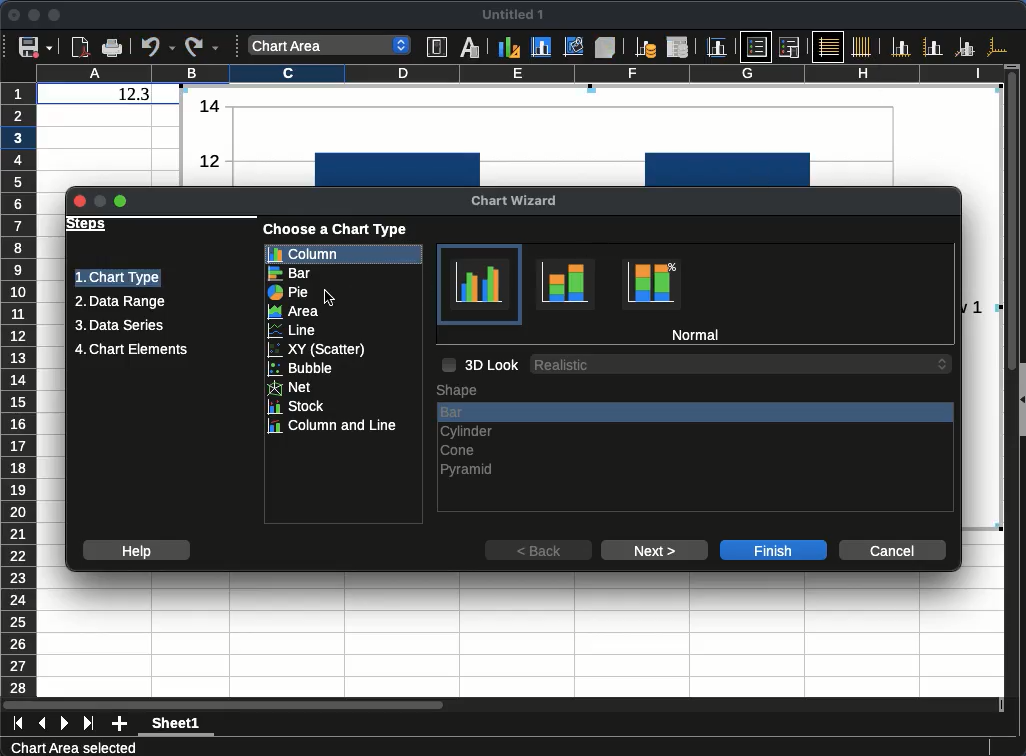  Describe the element at coordinates (459, 391) in the screenshot. I see `shape` at that location.